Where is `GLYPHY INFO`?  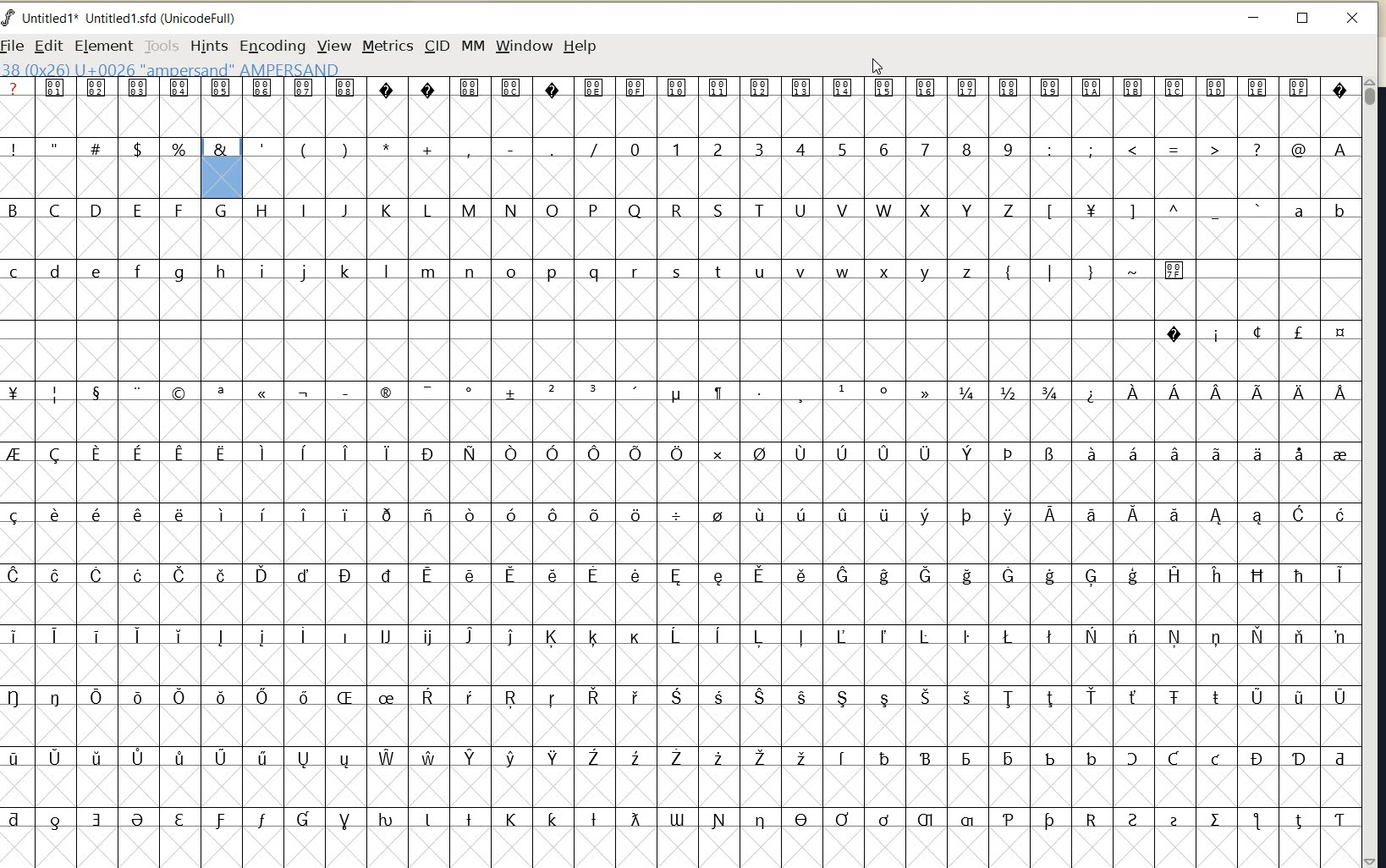 GLYPHY INFO is located at coordinates (170, 70).